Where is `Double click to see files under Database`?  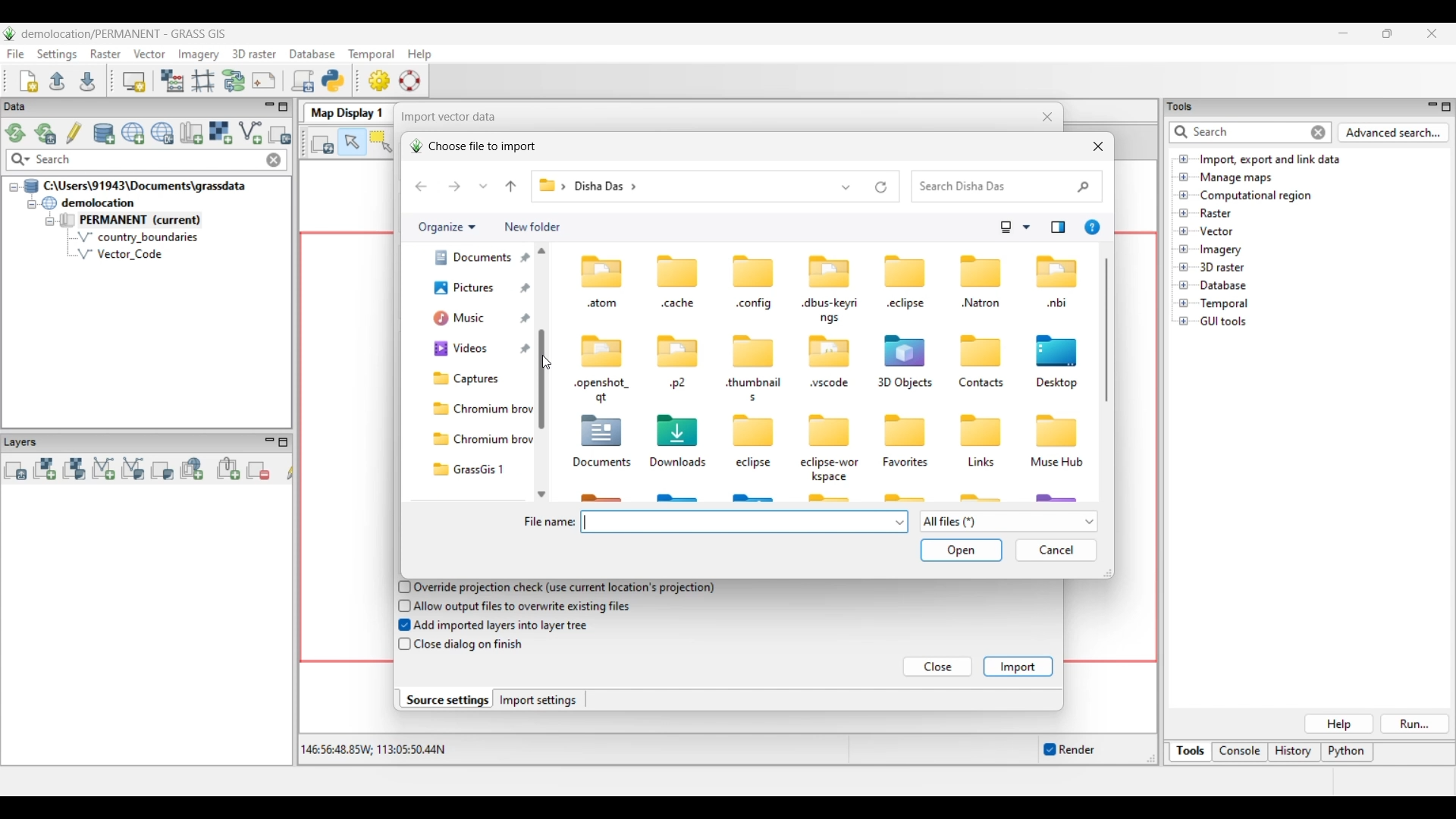 Double click to see files under Database is located at coordinates (1222, 286).